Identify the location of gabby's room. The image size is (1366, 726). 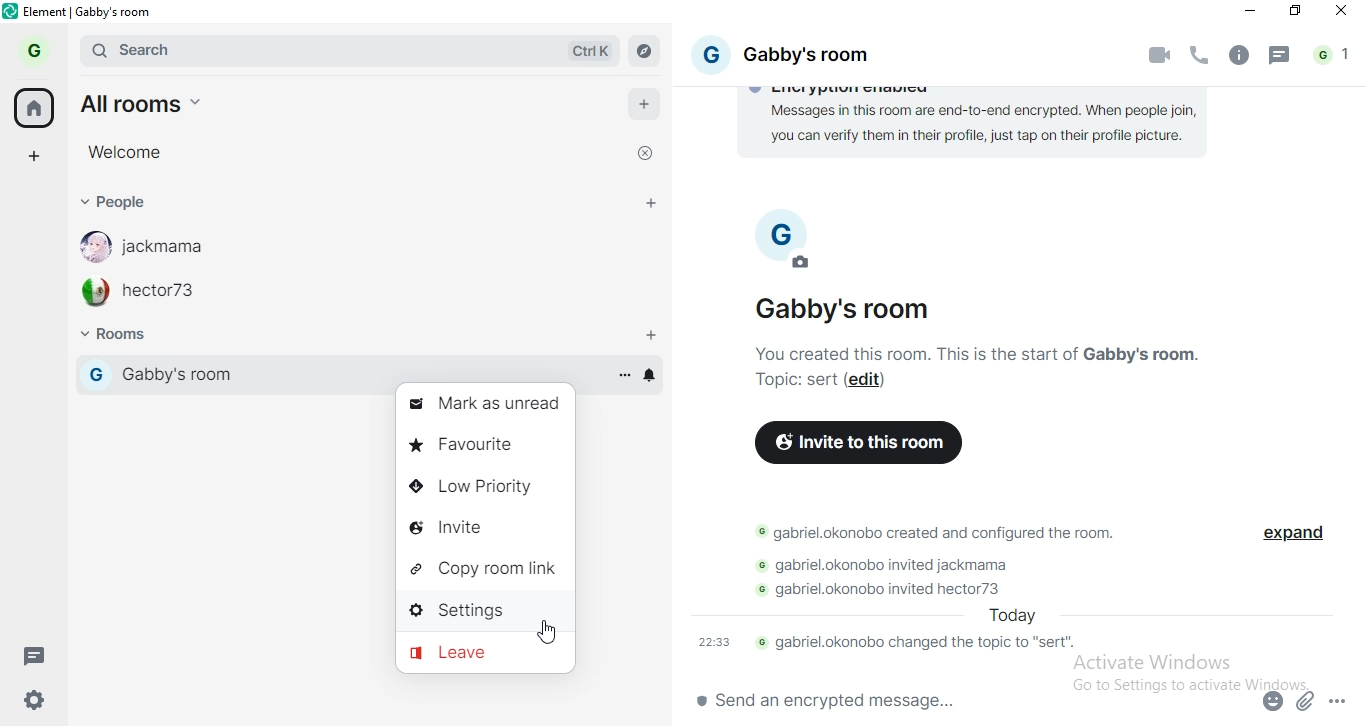
(828, 56).